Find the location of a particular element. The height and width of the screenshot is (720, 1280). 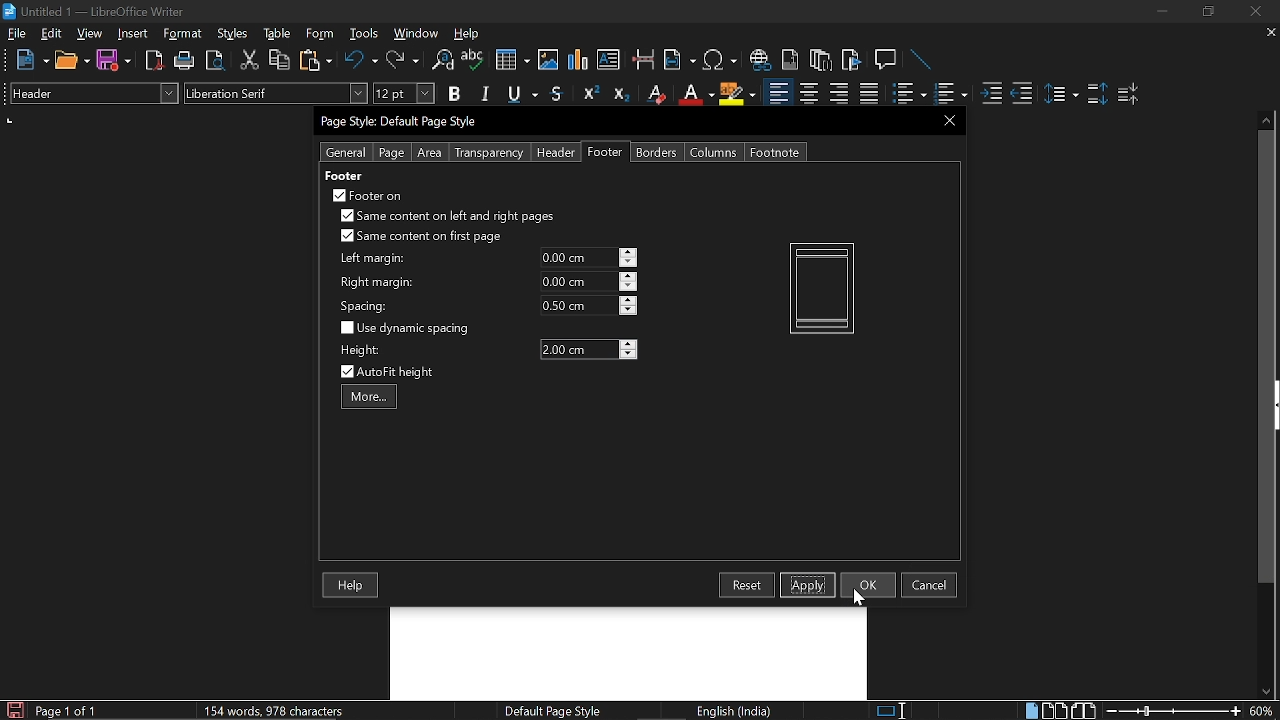

Word count is located at coordinates (295, 710).